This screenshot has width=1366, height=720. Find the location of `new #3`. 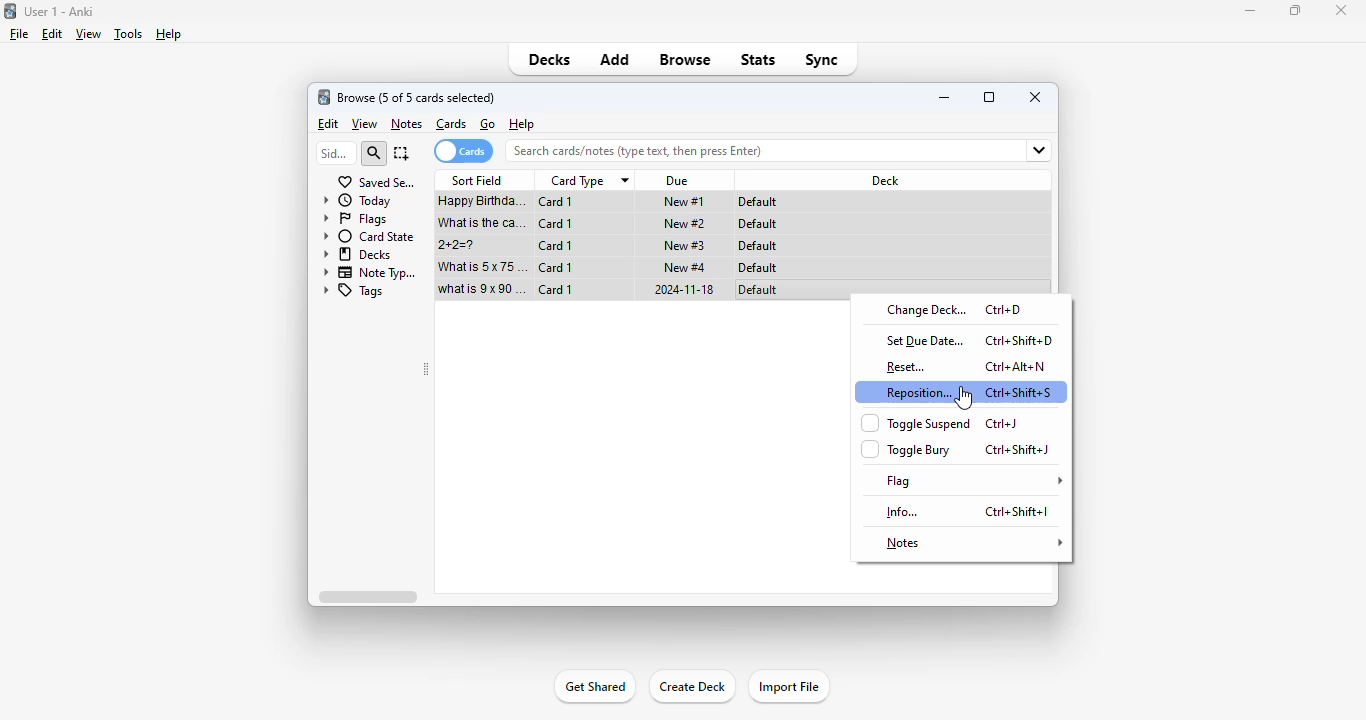

new #3 is located at coordinates (684, 245).